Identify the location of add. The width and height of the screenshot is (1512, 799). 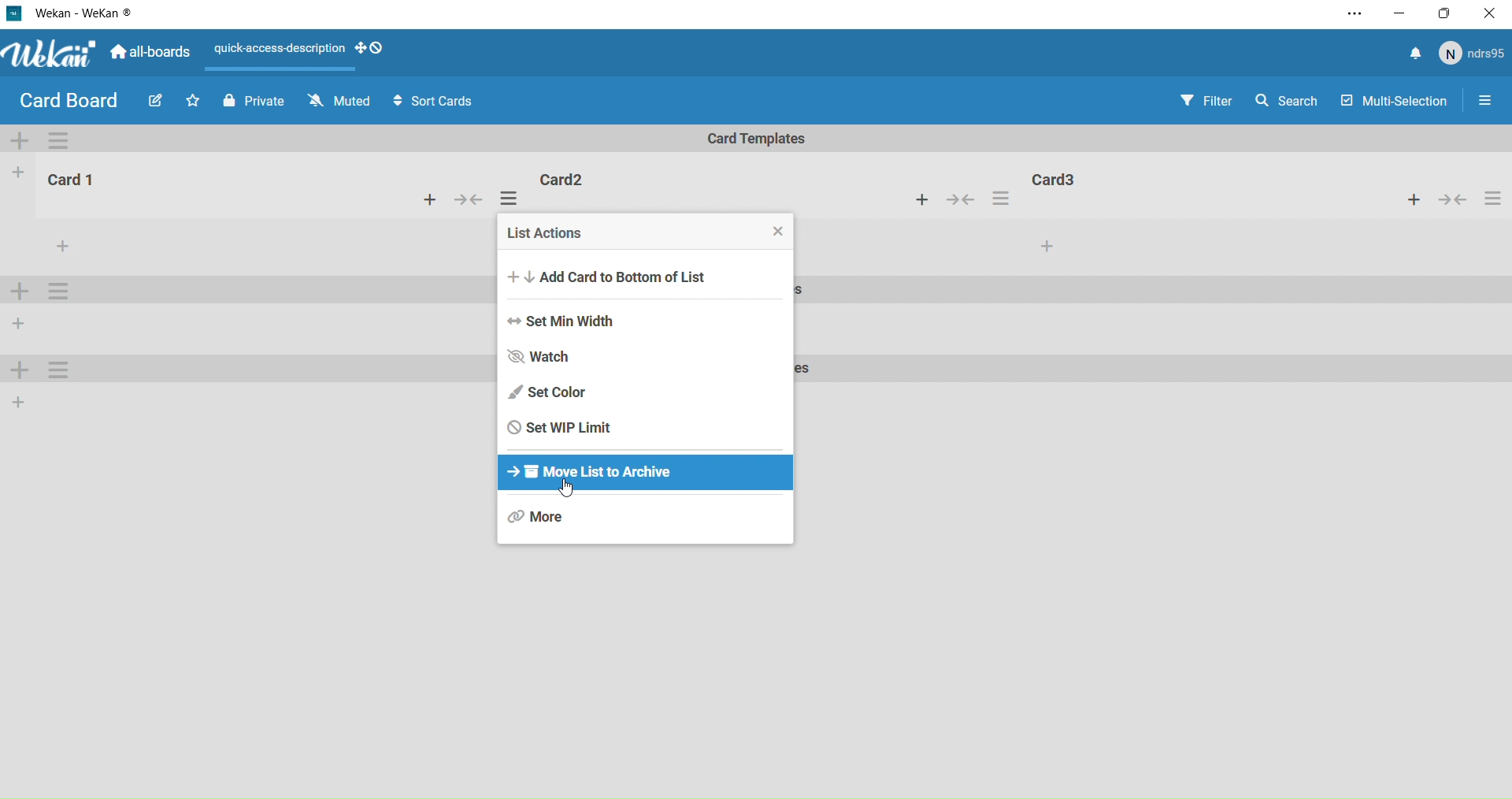
(20, 405).